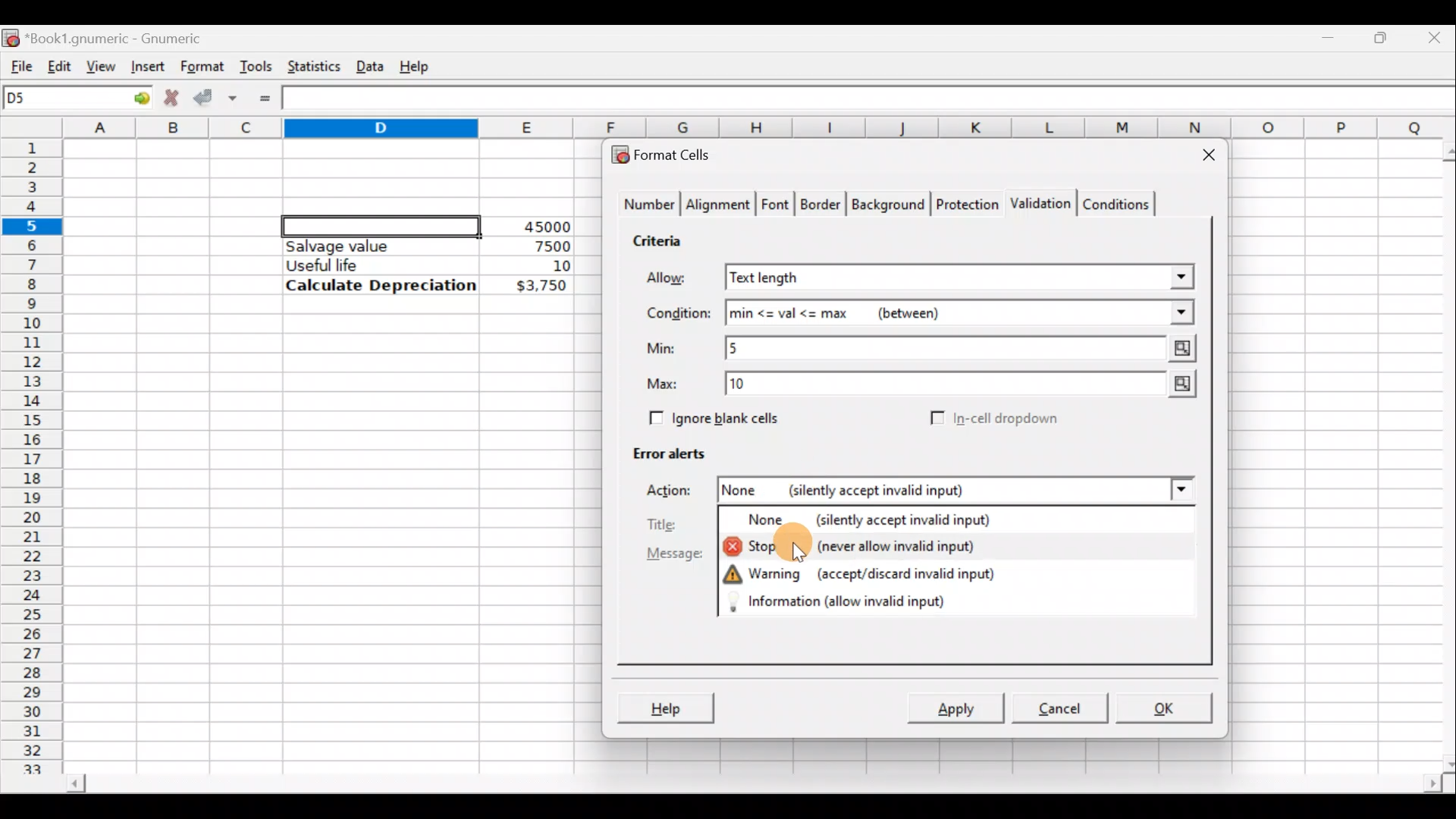 This screenshot has height=819, width=1456. Describe the element at coordinates (1057, 707) in the screenshot. I see `Cancel` at that location.